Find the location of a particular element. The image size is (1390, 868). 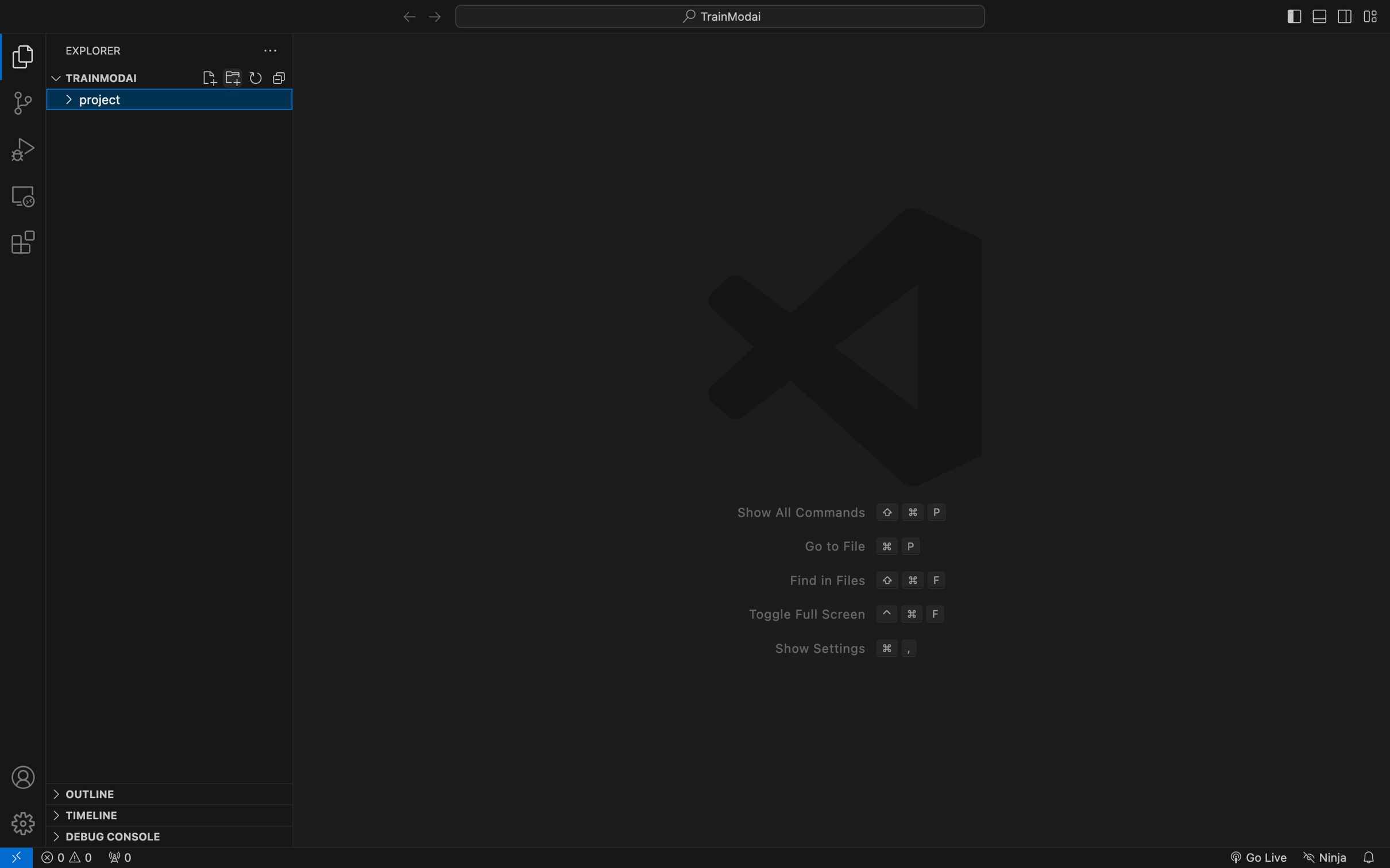

toggle secondary bar is located at coordinates (1342, 18).